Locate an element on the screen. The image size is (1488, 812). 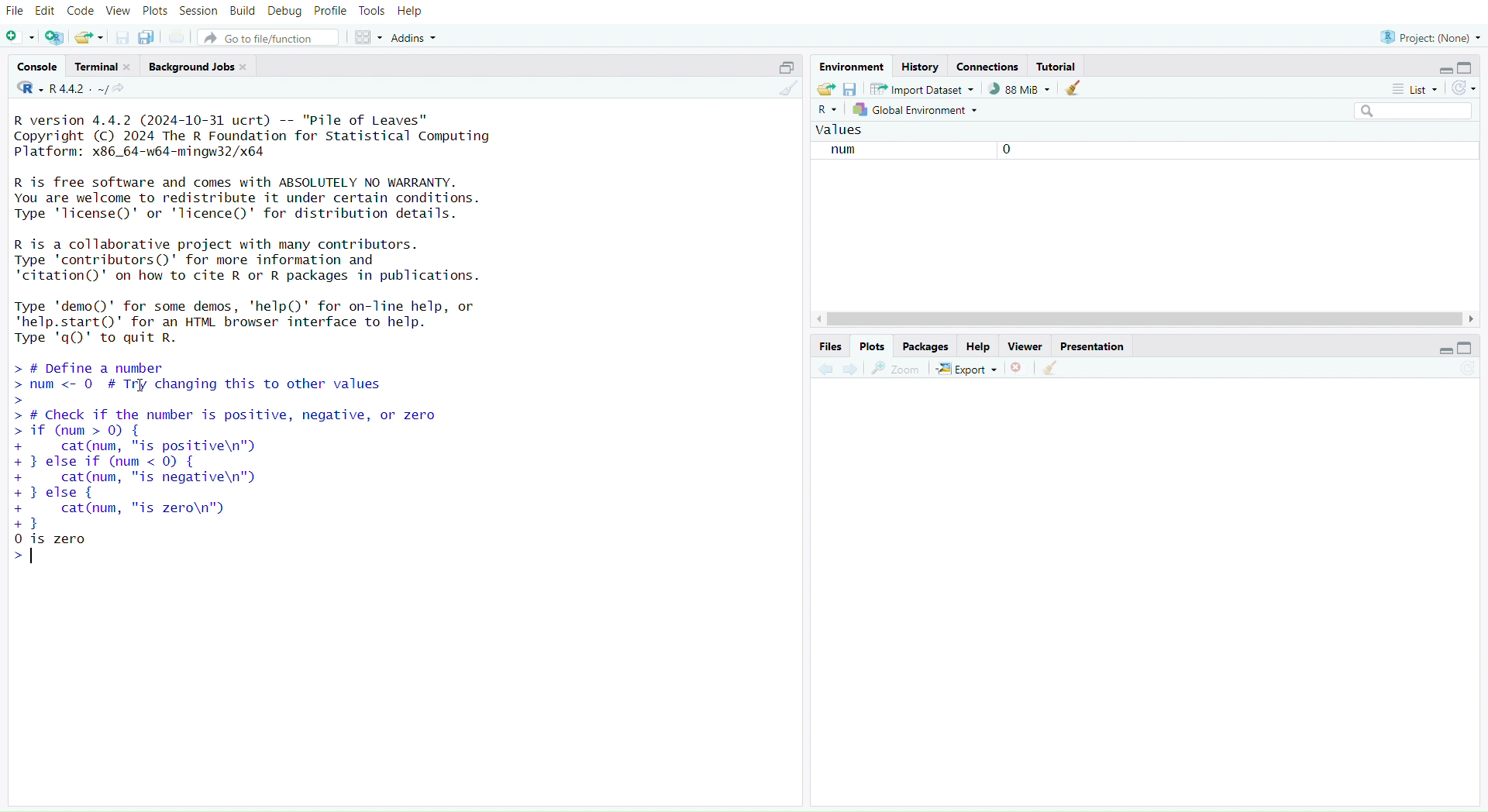
clear objects is located at coordinates (1075, 90).